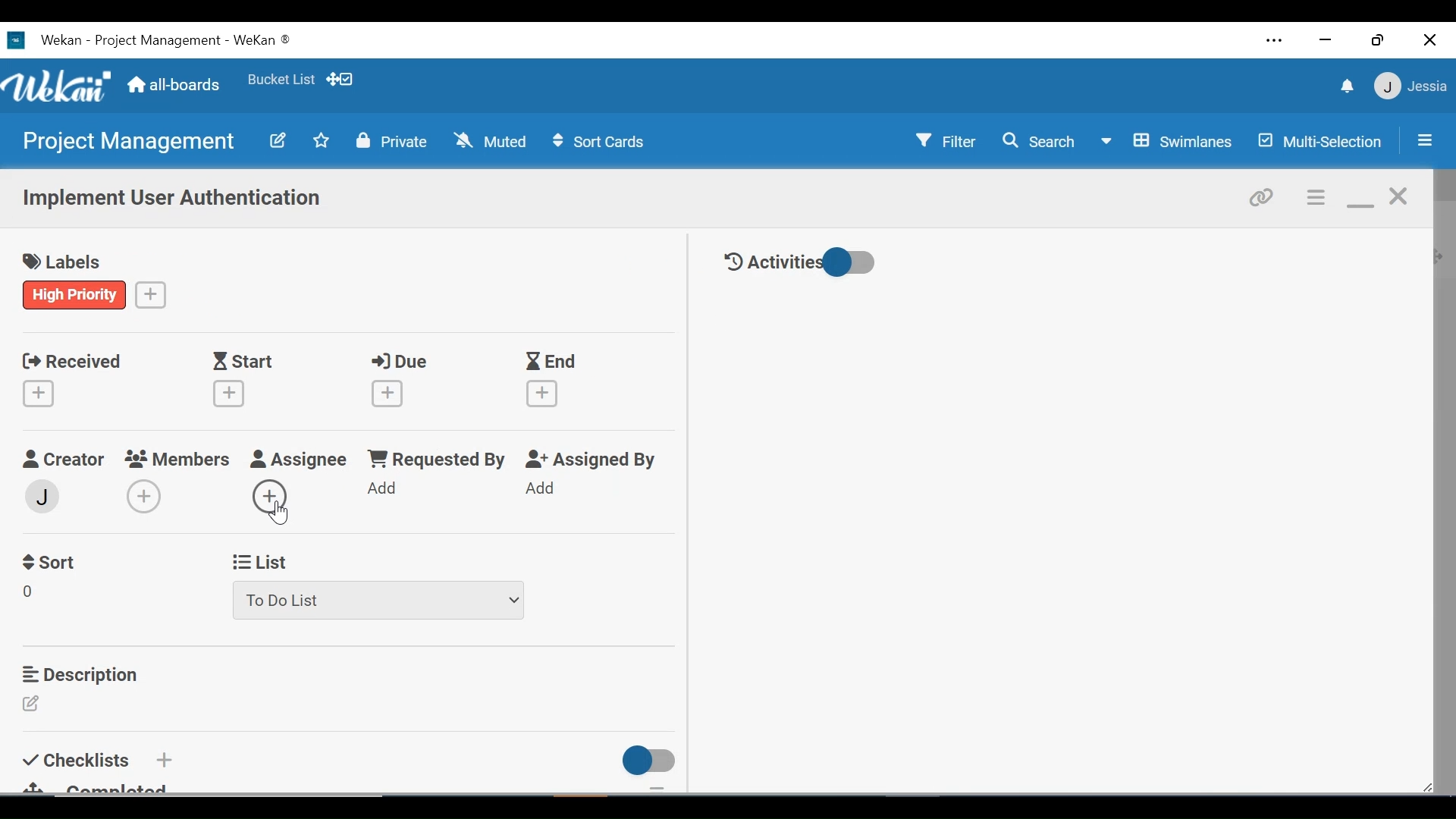 This screenshot has height=819, width=1456. I want to click on Board View swimlanes, so click(1169, 140).